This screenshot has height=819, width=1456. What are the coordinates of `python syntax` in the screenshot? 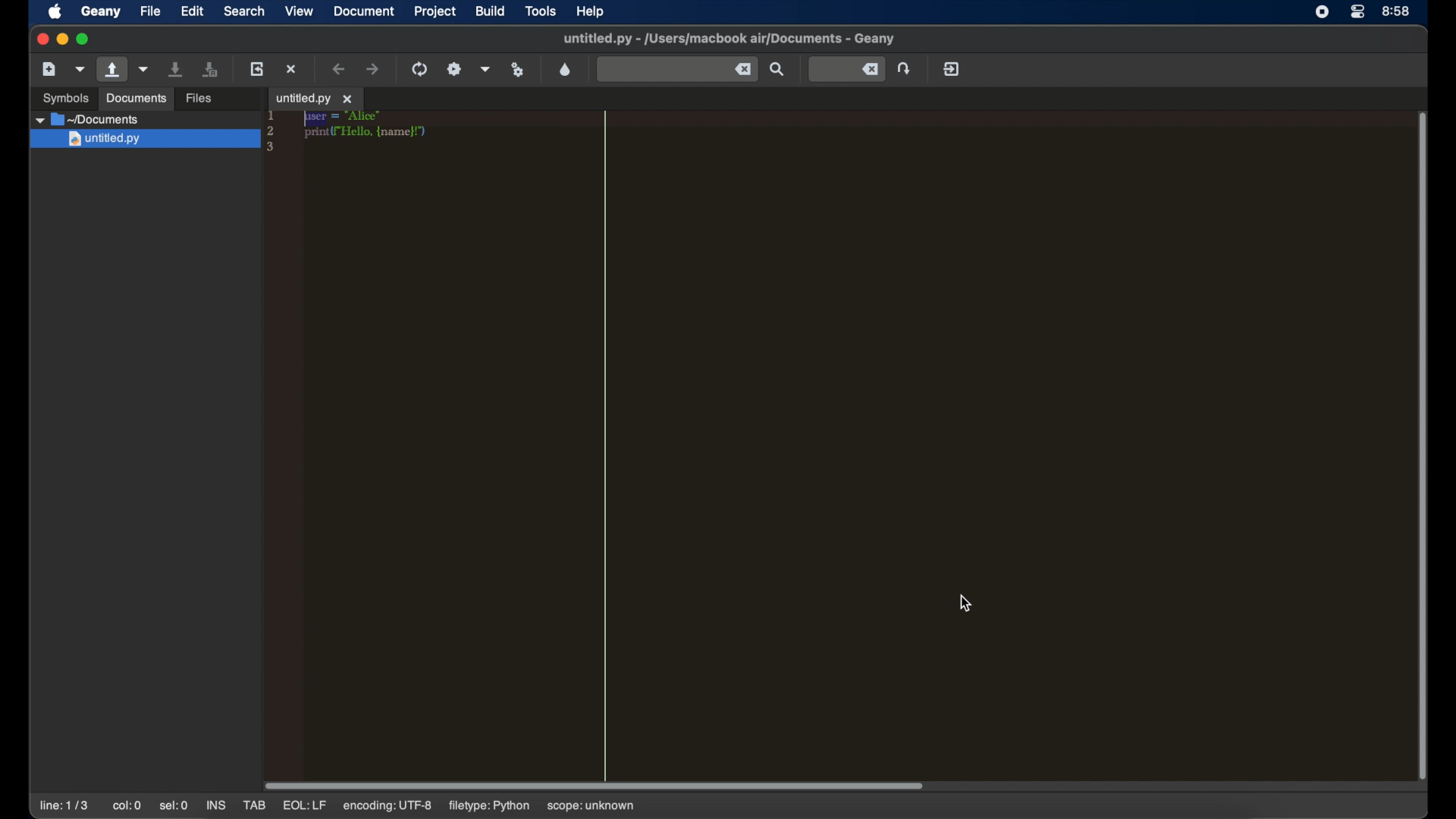 It's located at (350, 133).